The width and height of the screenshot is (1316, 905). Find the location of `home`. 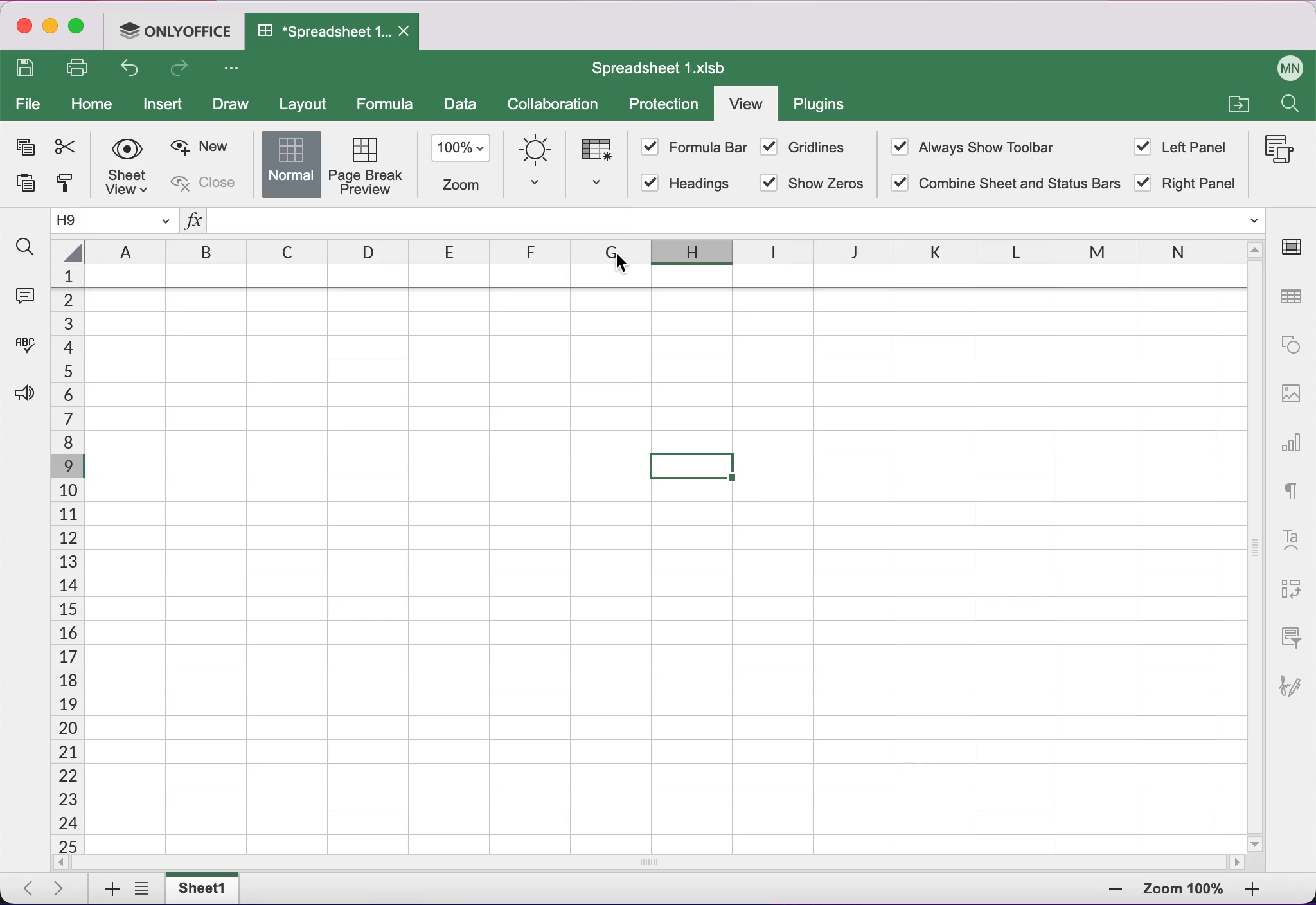

home is located at coordinates (92, 103).